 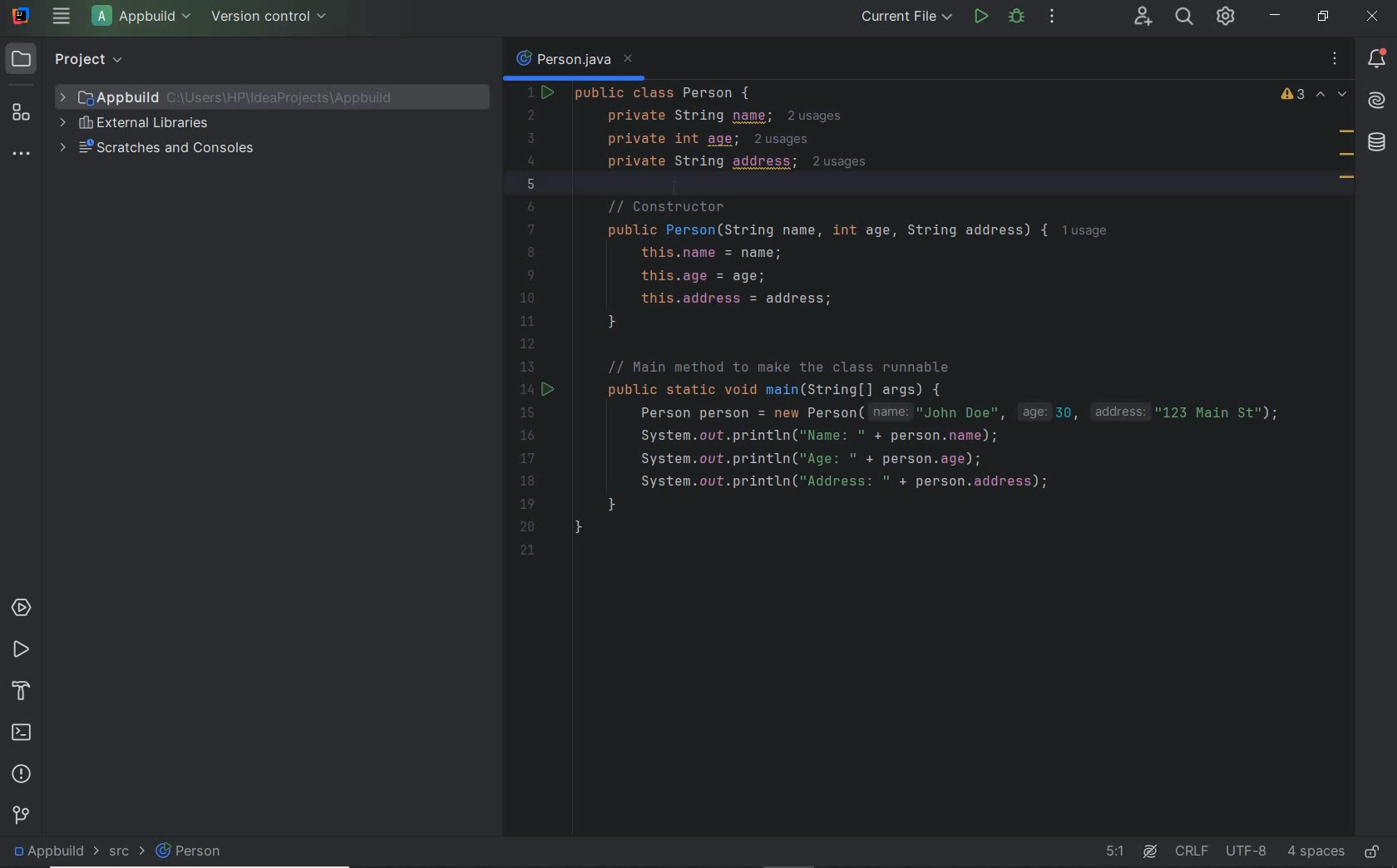 What do you see at coordinates (22, 607) in the screenshot?
I see `services` at bounding box center [22, 607].